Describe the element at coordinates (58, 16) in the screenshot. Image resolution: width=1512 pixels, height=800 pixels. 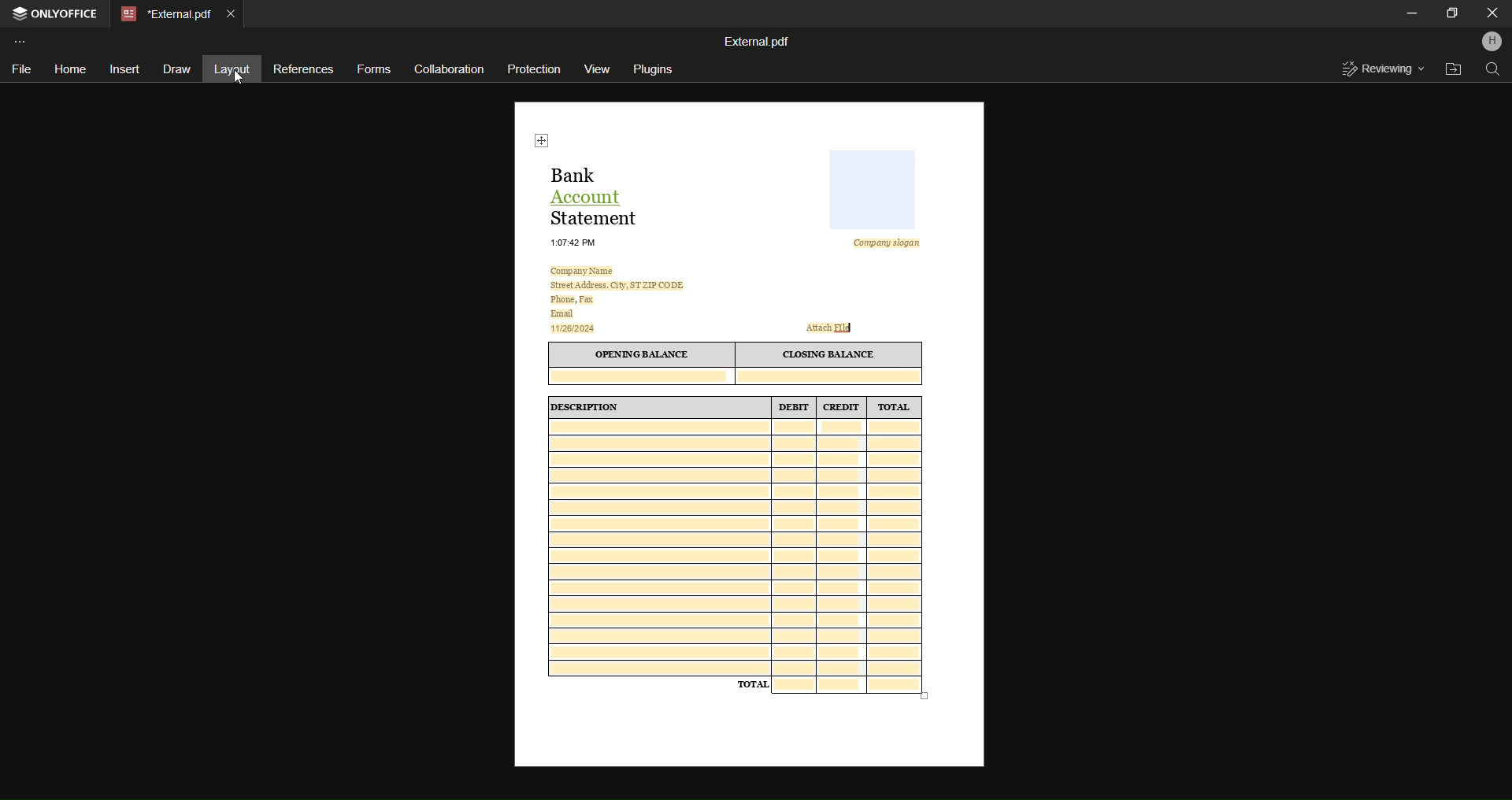
I see `OnlyOffice Application Tab` at that location.